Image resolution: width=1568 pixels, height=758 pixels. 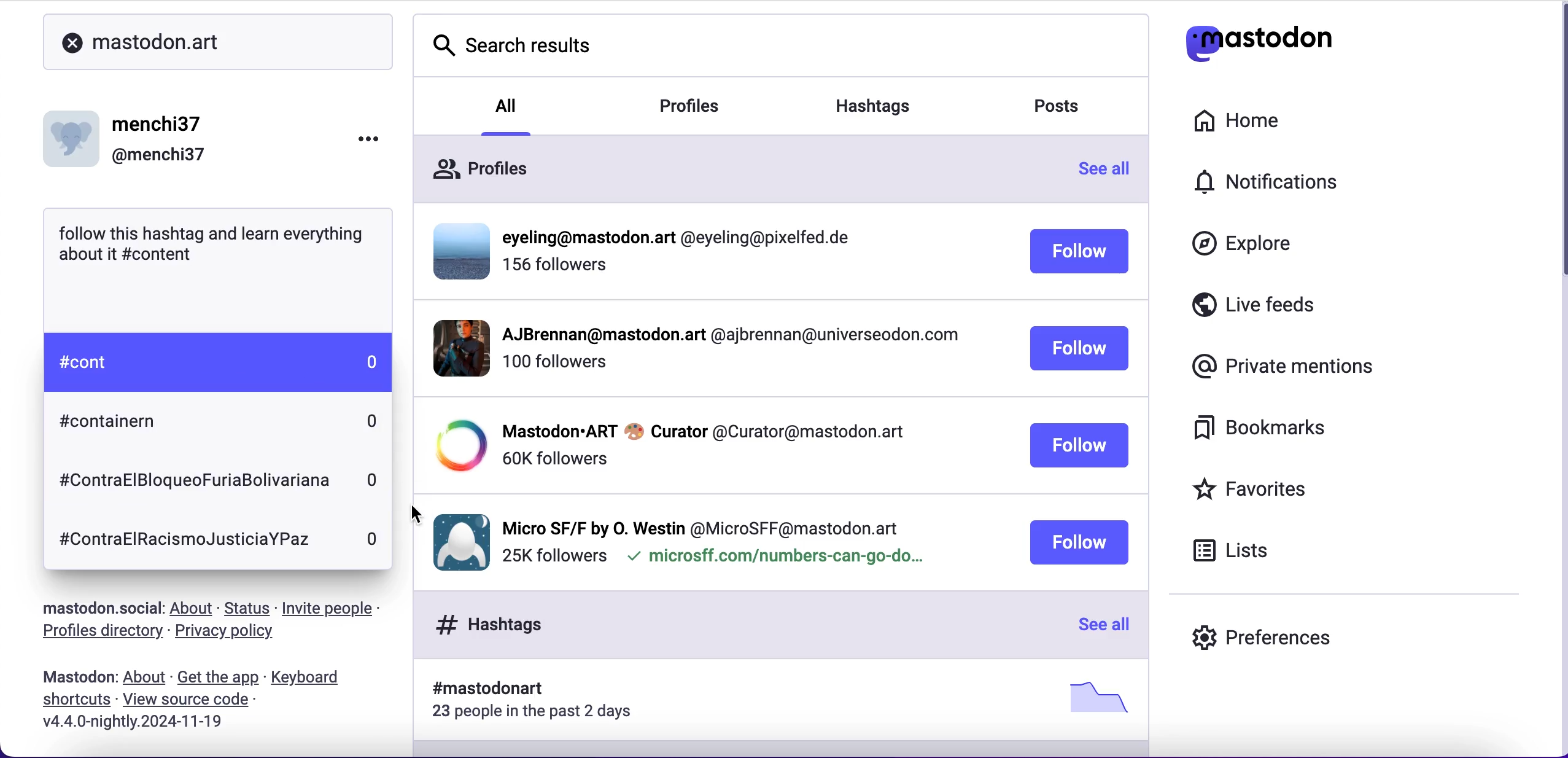 I want to click on notifications, so click(x=1294, y=186).